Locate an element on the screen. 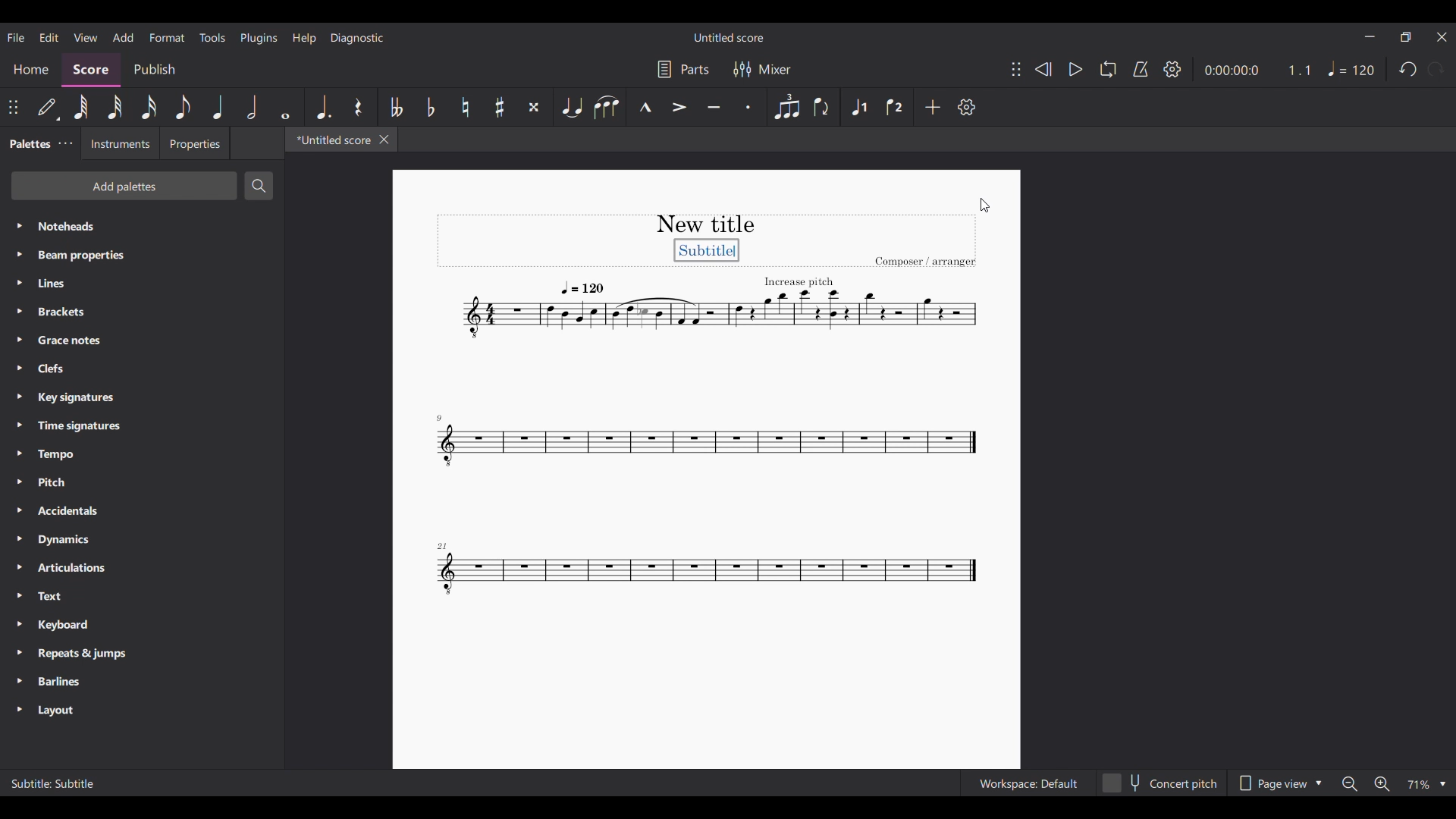  Loop playback is located at coordinates (1108, 69).